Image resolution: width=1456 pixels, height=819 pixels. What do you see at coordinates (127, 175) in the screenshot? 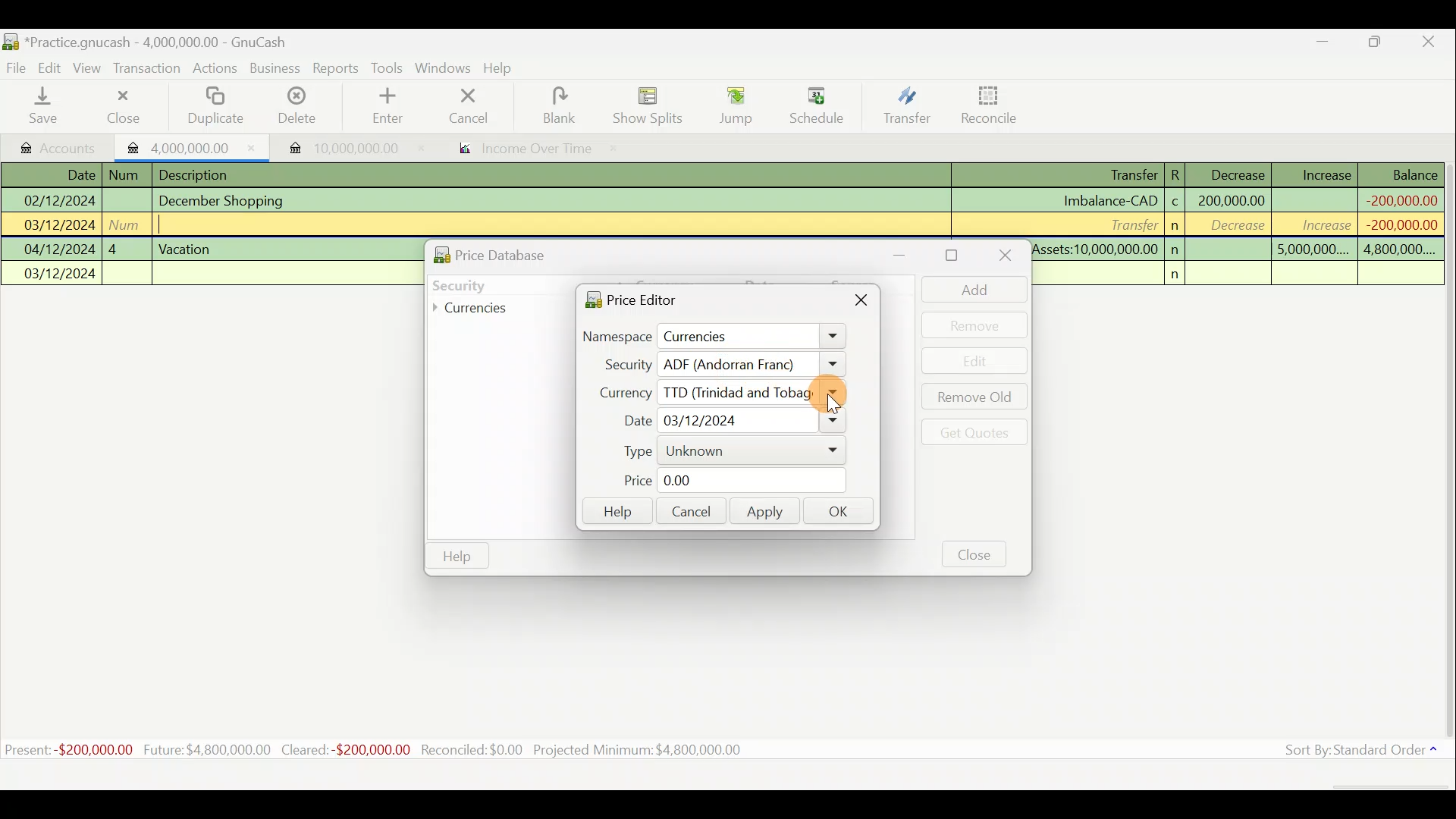
I see `num` at bounding box center [127, 175].